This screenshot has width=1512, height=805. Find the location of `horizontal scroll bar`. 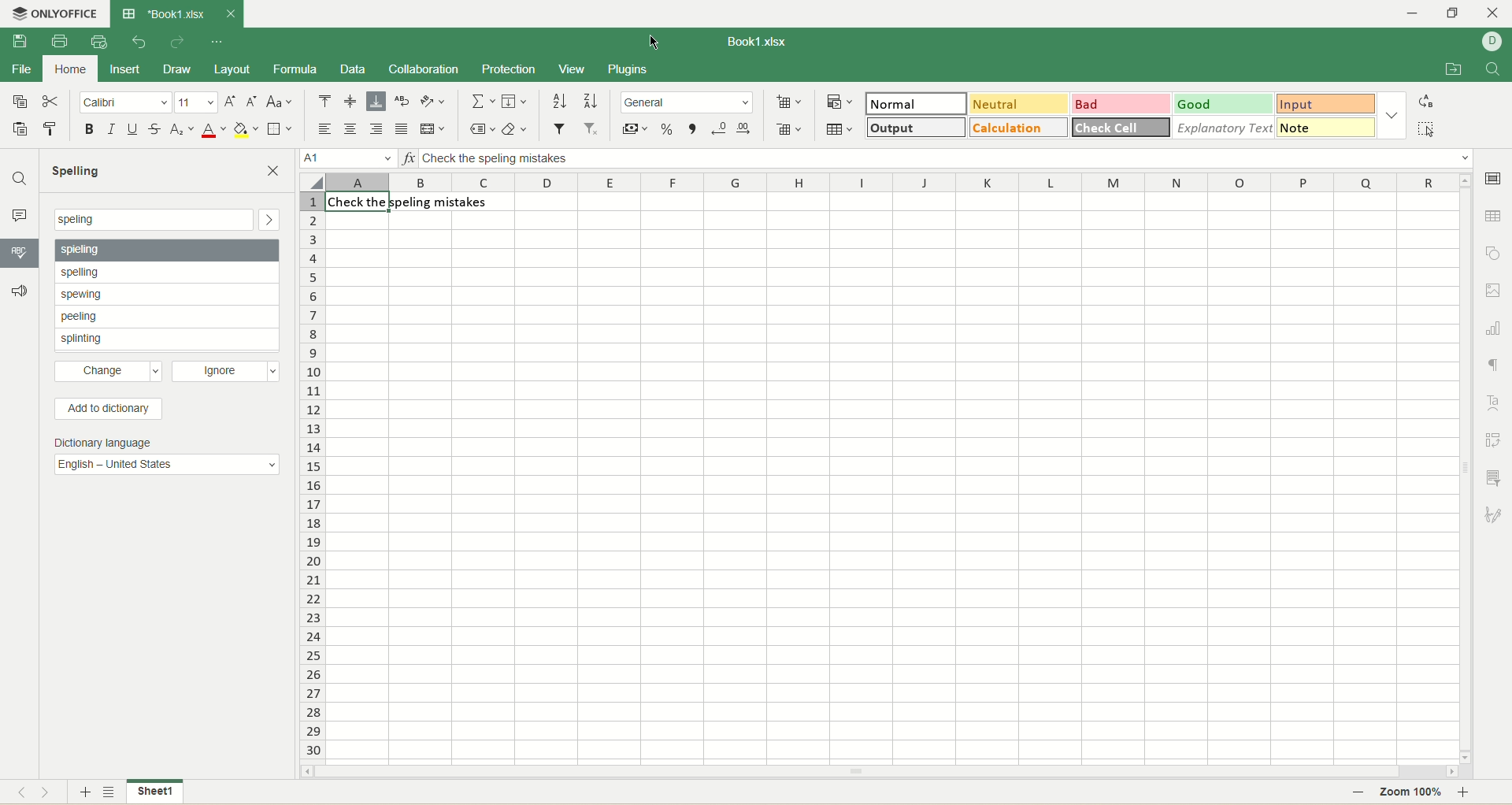

horizontal scroll bar is located at coordinates (877, 774).